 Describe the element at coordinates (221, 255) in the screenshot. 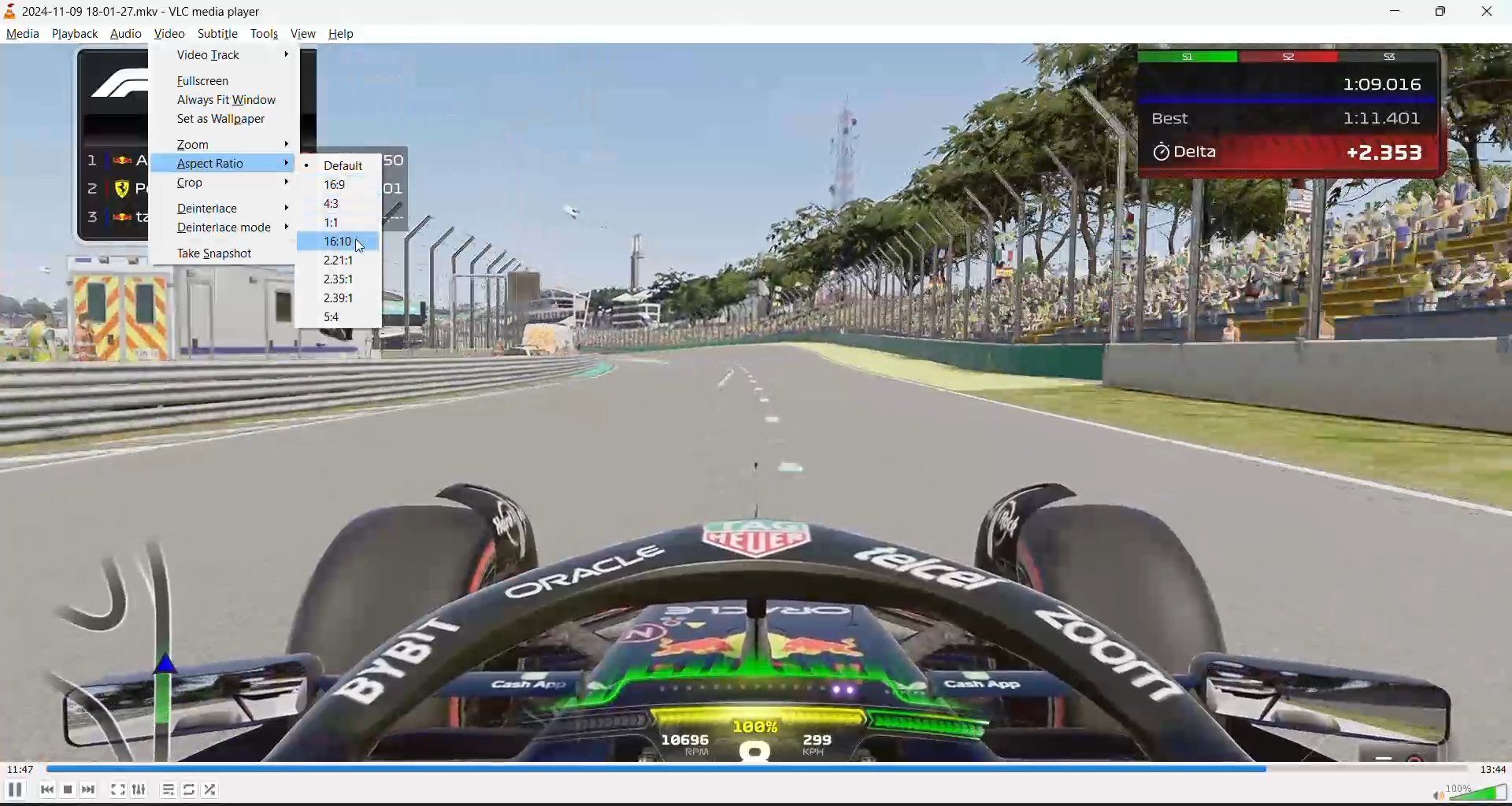

I see `take snapshot` at that location.